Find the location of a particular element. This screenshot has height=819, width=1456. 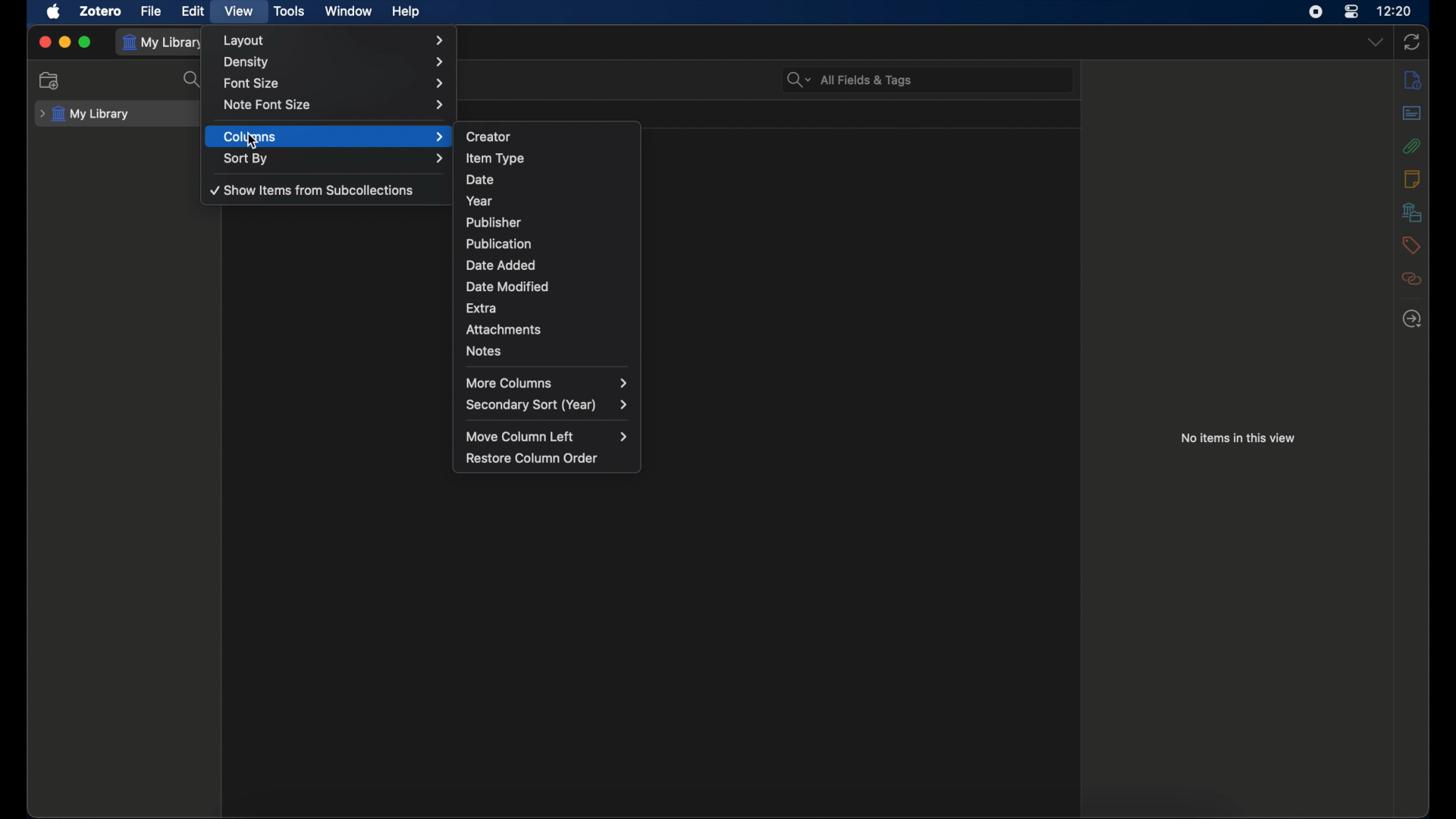

notes is located at coordinates (1412, 178).